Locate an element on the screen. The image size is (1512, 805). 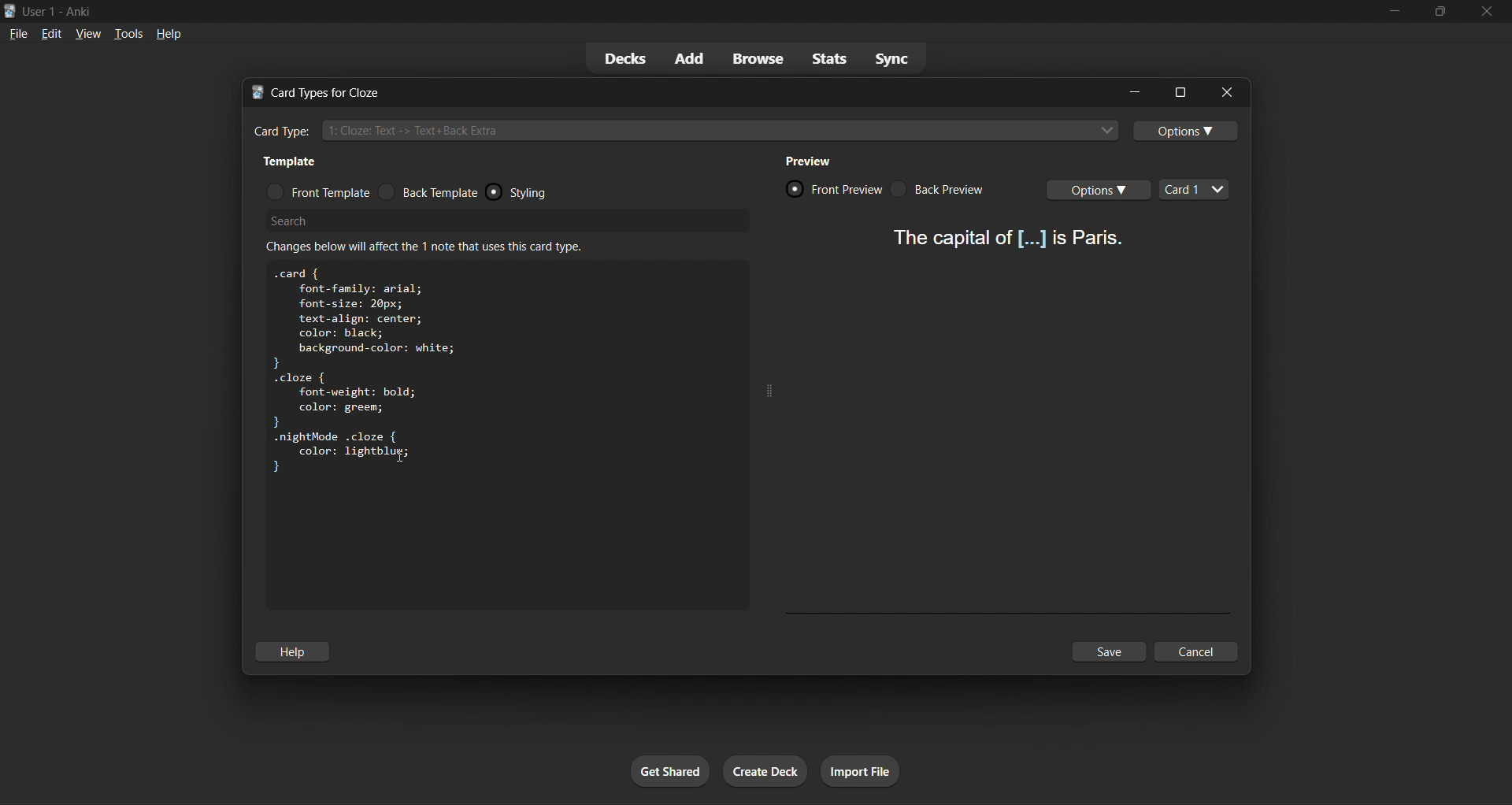
text cursor is located at coordinates (402, 457).